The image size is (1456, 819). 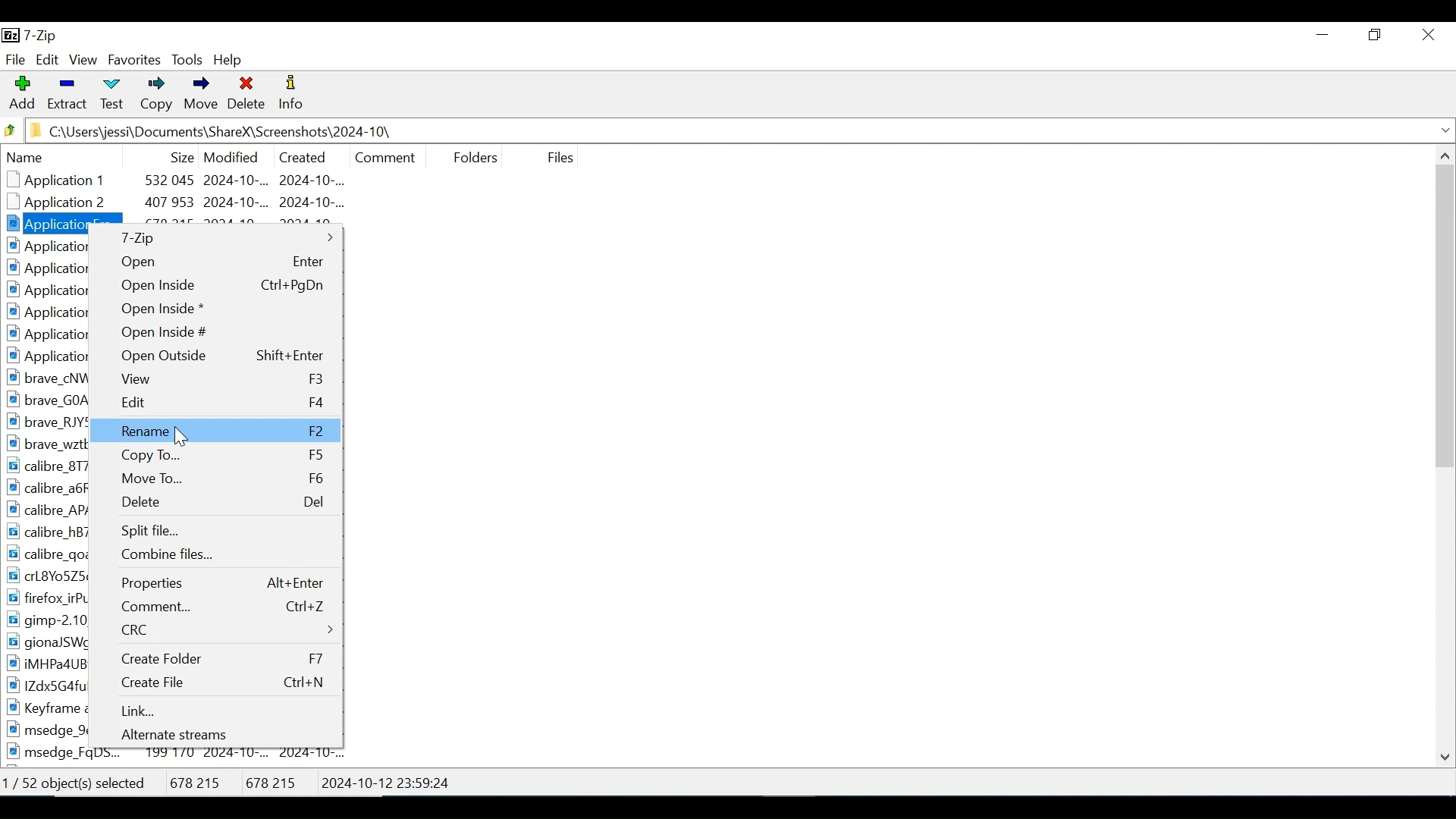 What do you see at coordinates (77, 158) in the screenshot?
I see `Name` at bounding box center [77, 158].